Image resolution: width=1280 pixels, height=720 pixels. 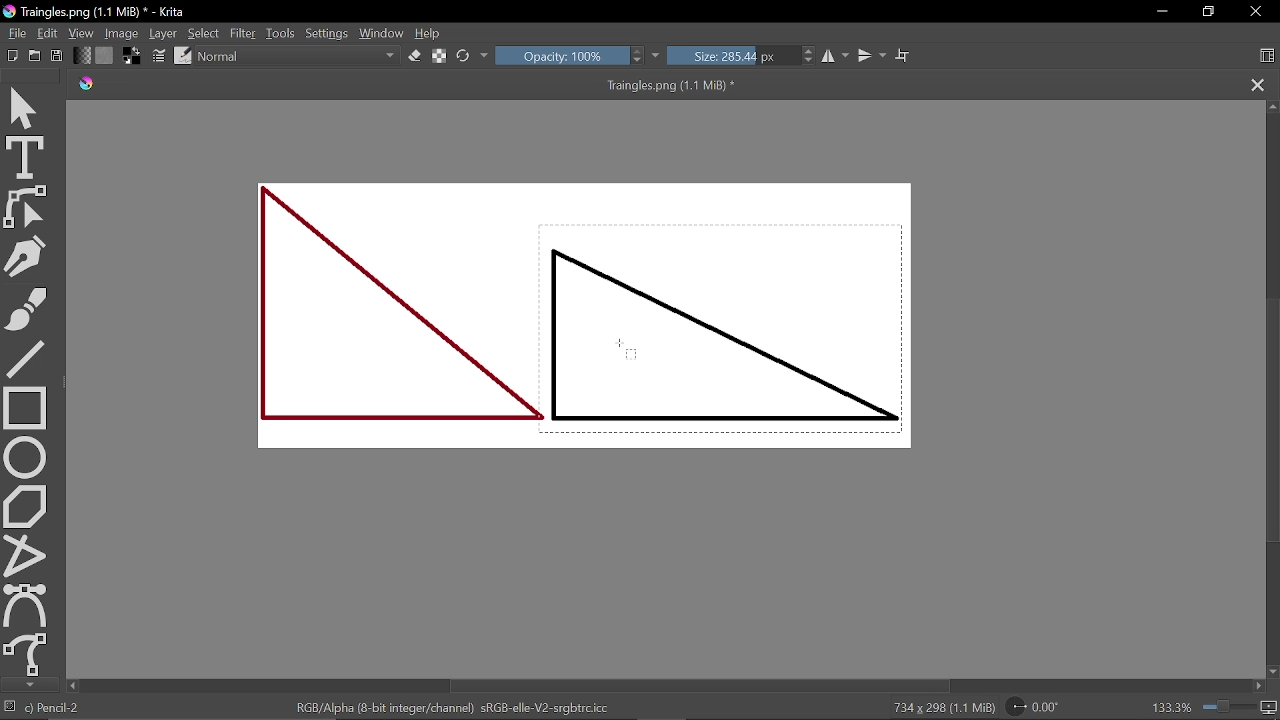 What do you see at coordinates (82, 56) in the screenshot?
I see `Gradient fill` at bounding box center [82, 56].